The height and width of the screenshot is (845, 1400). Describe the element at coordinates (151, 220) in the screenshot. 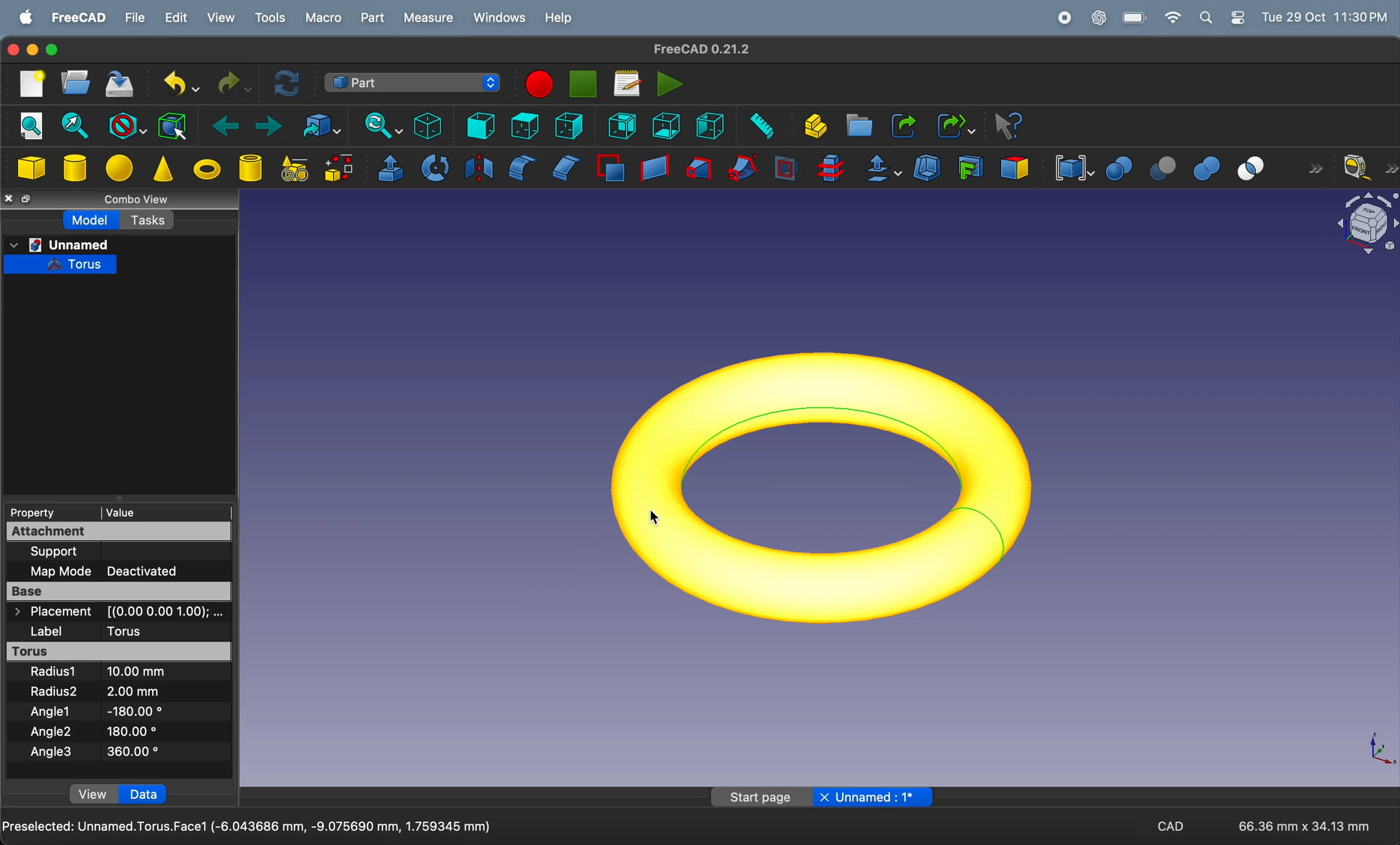

I see `tasks` at that location.